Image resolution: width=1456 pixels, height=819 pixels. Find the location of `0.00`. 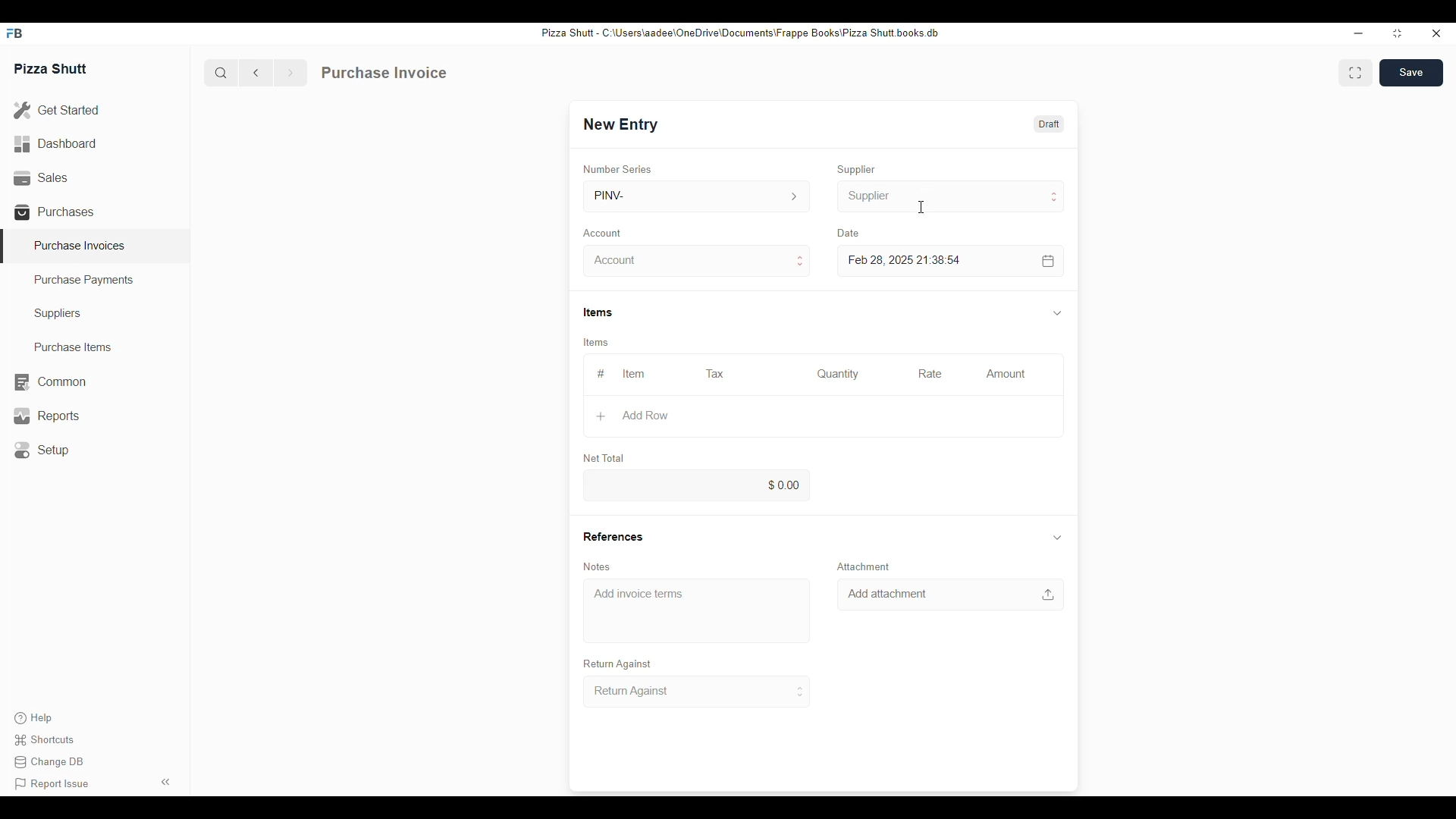

0.00 is located at coordinates (697, 485).